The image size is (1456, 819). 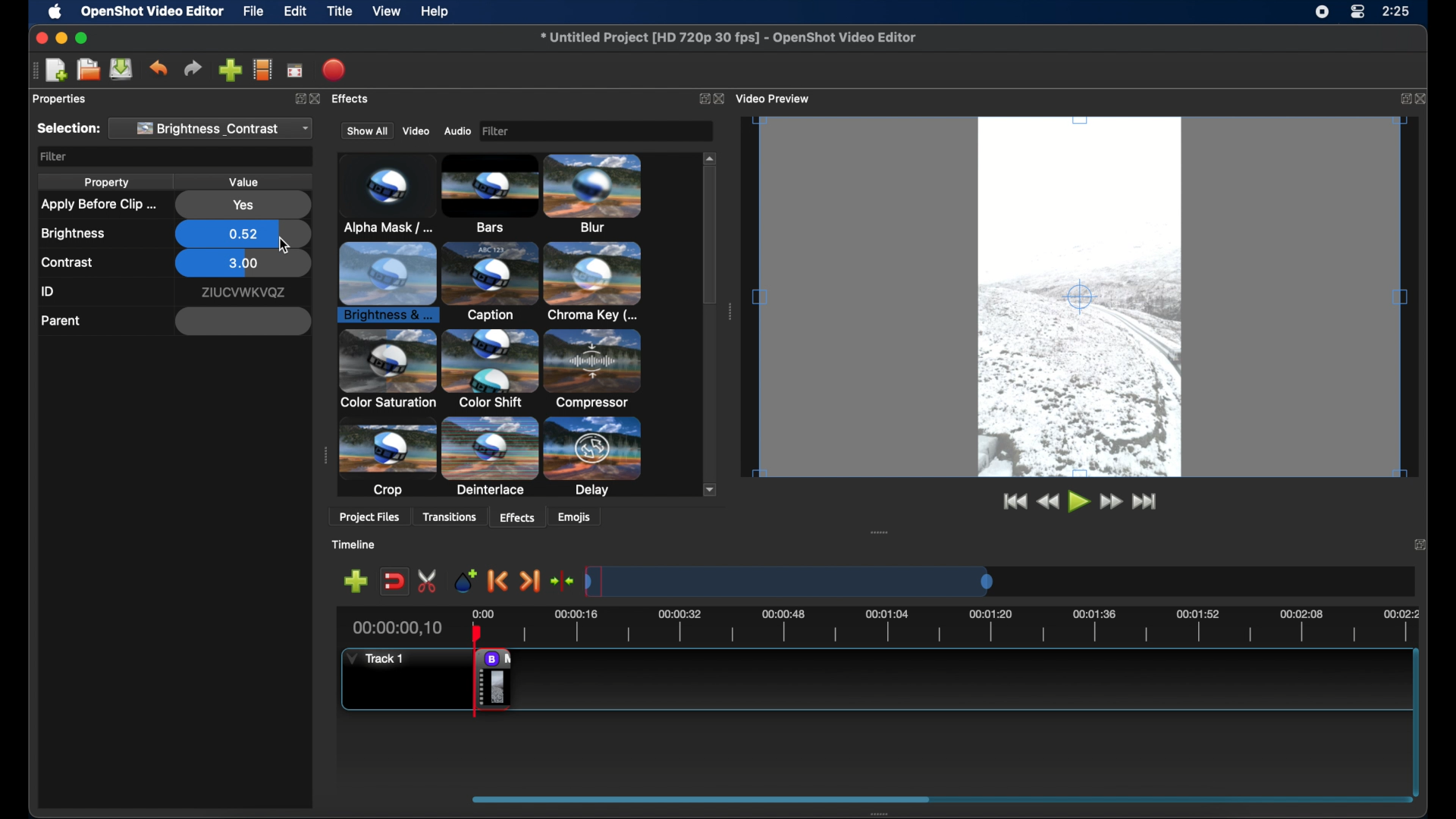 What do you see at coordinates (355, 581) in the screenshot?
I see `add track` at bounding box center [355, 581].